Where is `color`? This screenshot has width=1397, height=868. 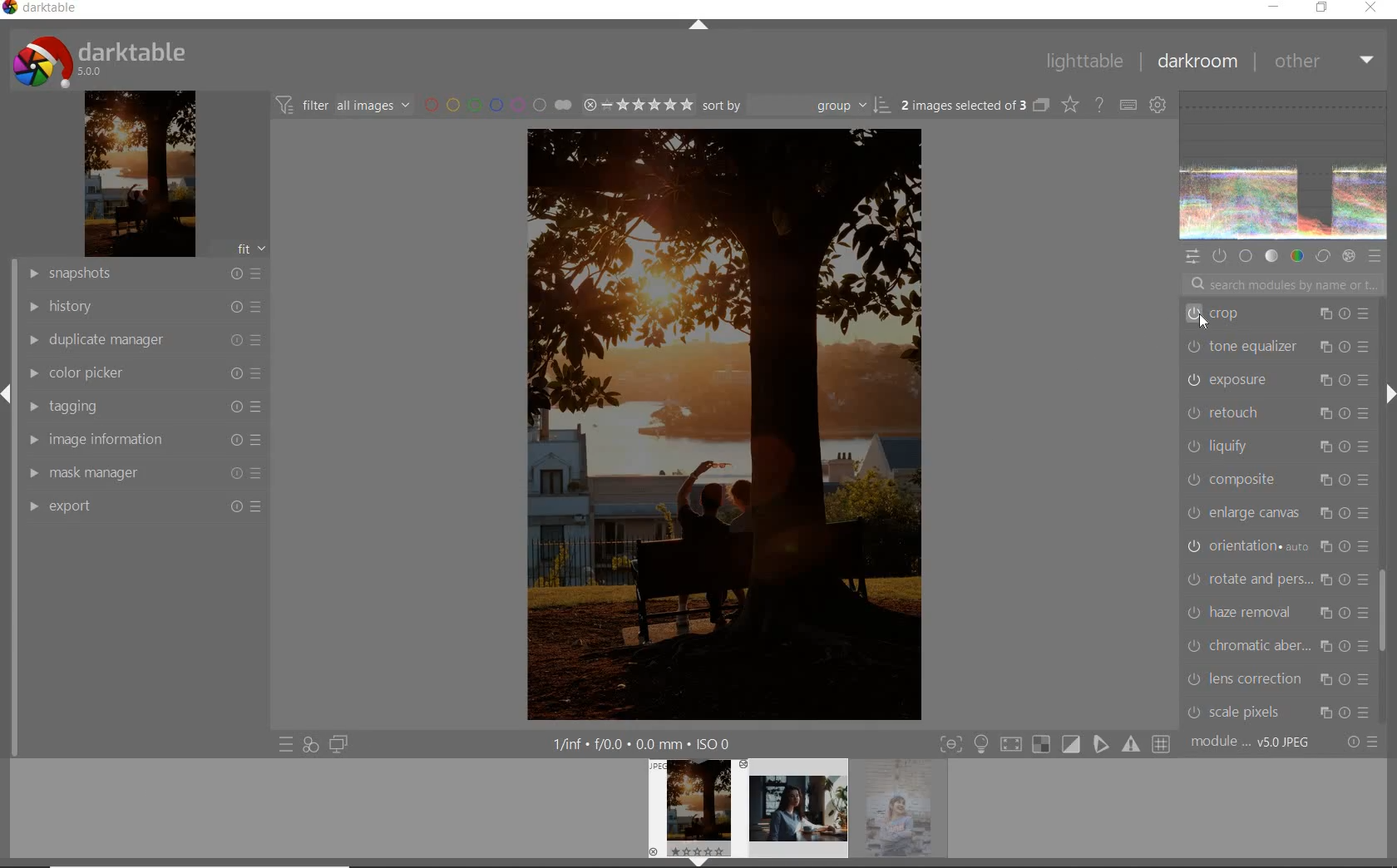
color is located at coordinates (1296, 257).